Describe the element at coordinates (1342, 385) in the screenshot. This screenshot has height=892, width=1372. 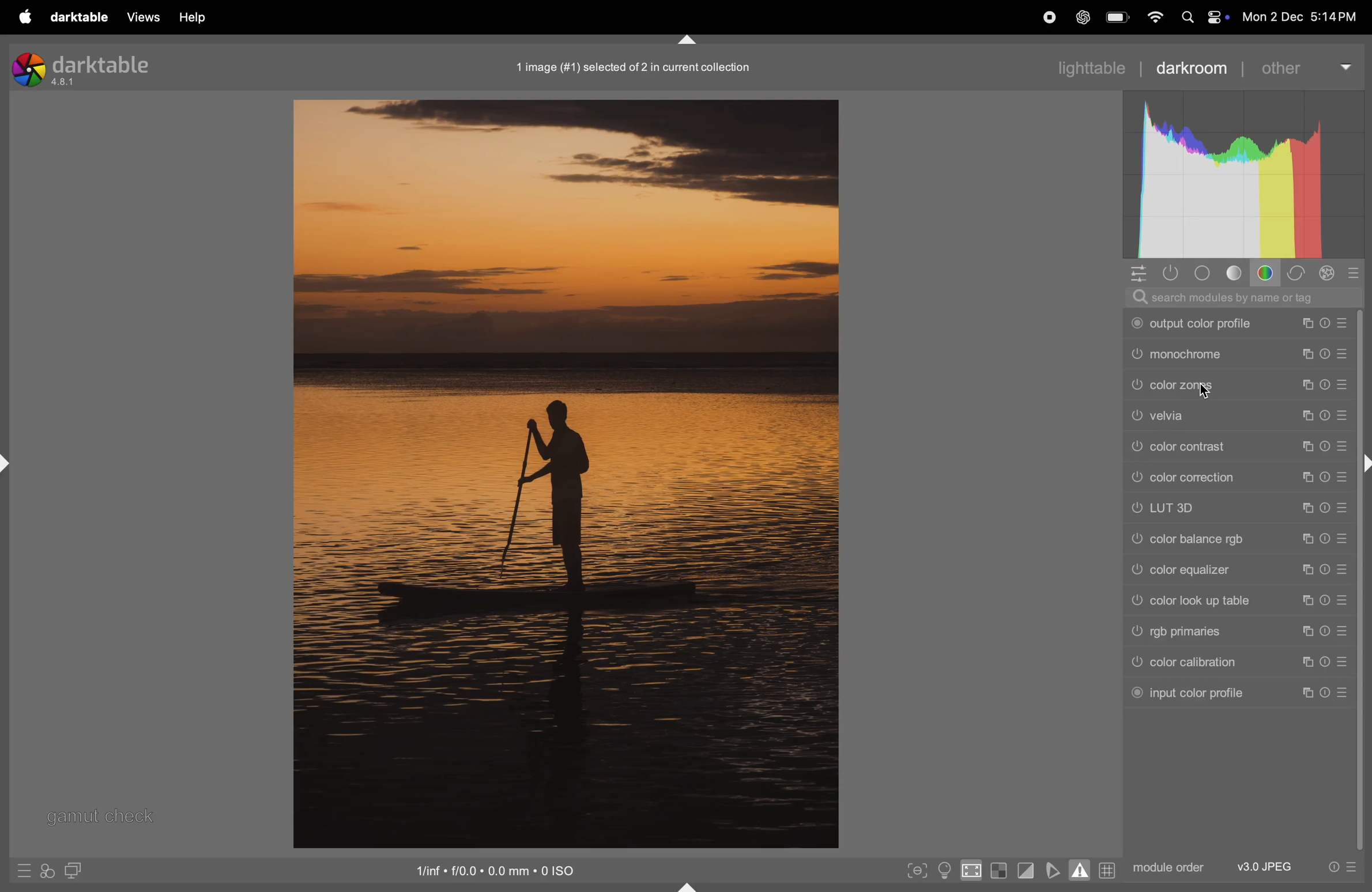
I see `preset` at that location.